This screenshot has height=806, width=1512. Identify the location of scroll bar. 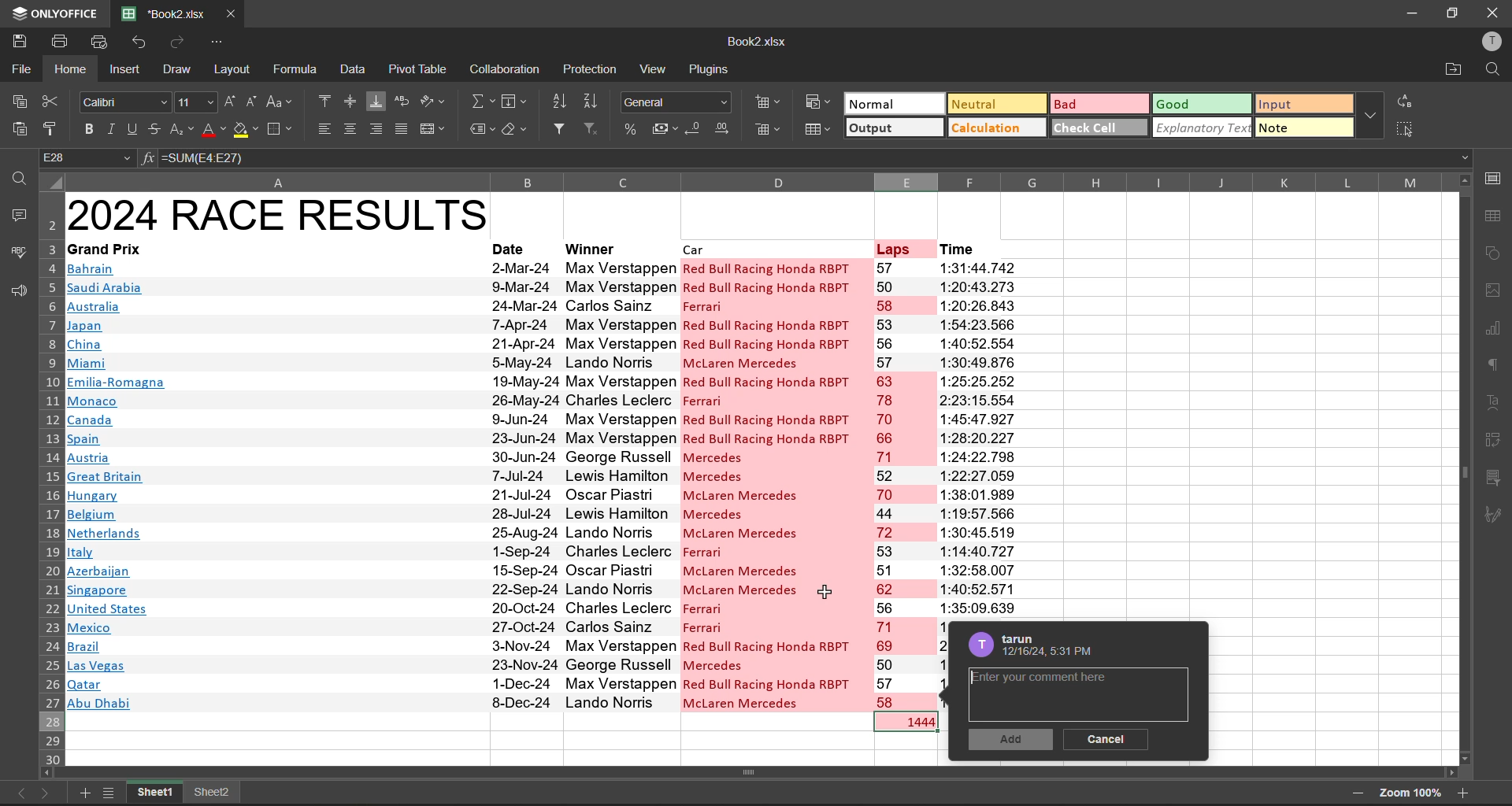
(1467, 468).